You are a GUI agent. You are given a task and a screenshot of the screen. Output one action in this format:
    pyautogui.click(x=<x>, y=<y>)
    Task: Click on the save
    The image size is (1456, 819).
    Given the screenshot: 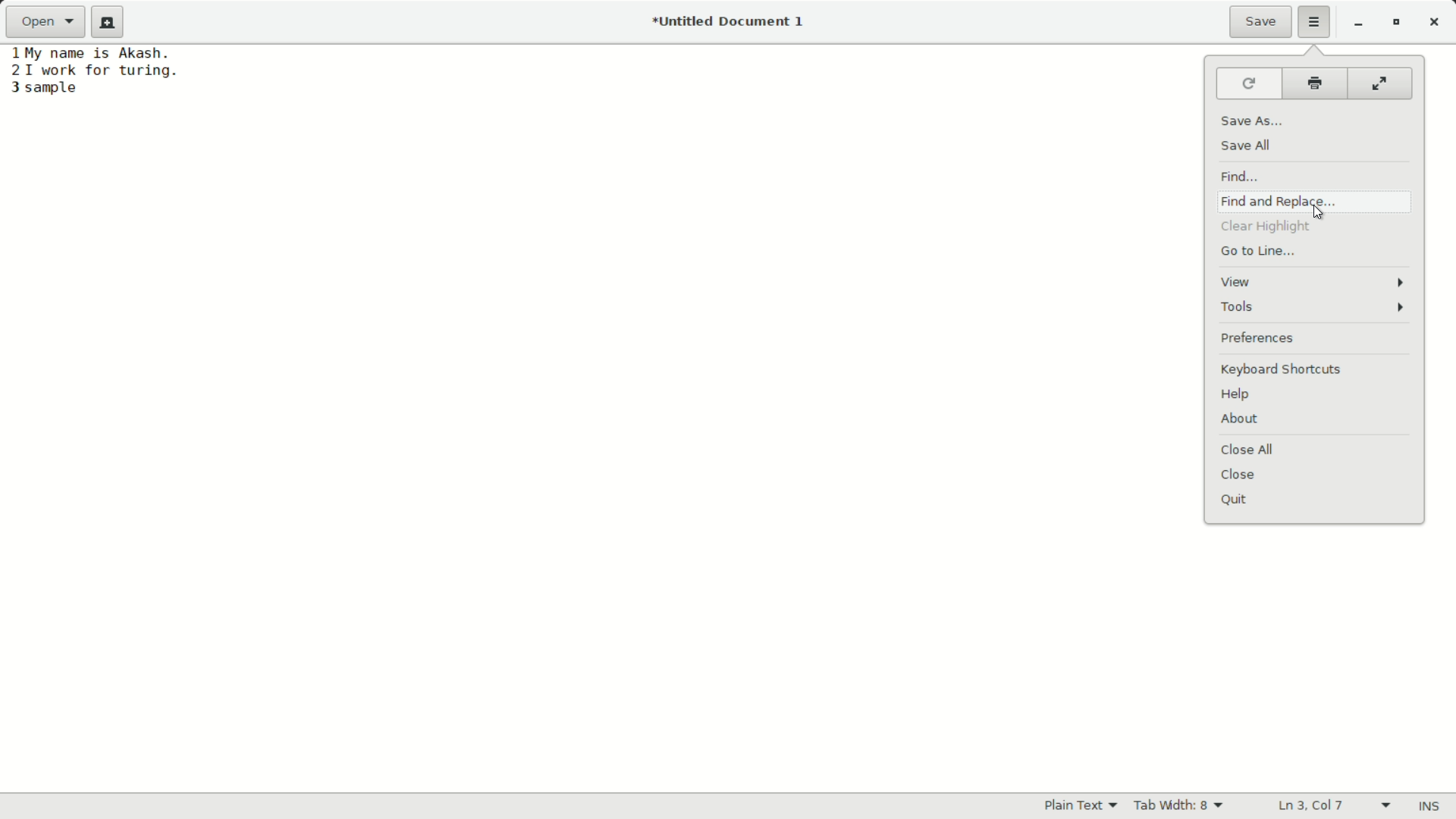 What is the action you would take?
    pyautogui.click(x=1261, y=24)
    